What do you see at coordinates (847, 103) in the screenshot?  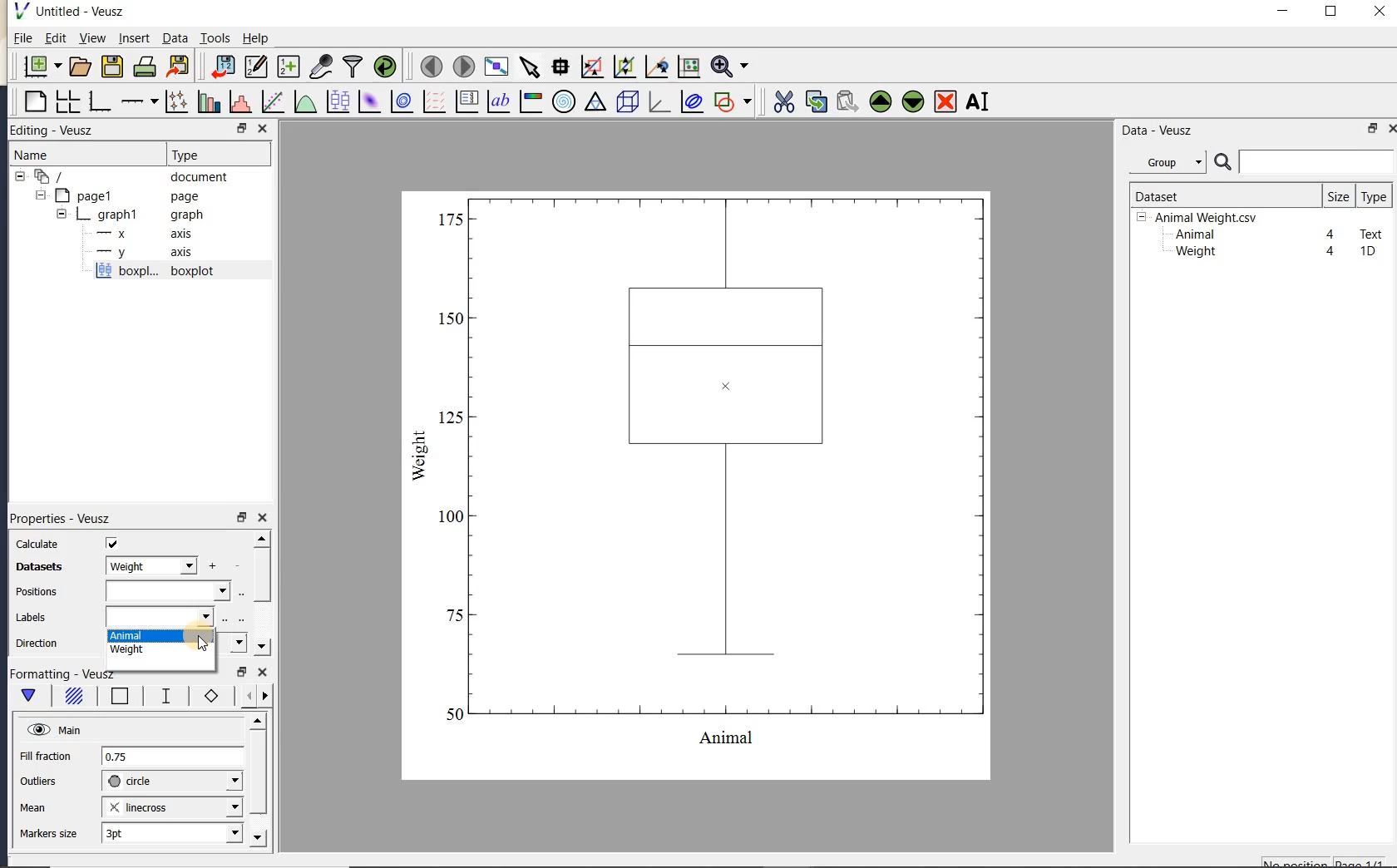 I see `paste widget from the clipboard` at bounding box center [847, 103].